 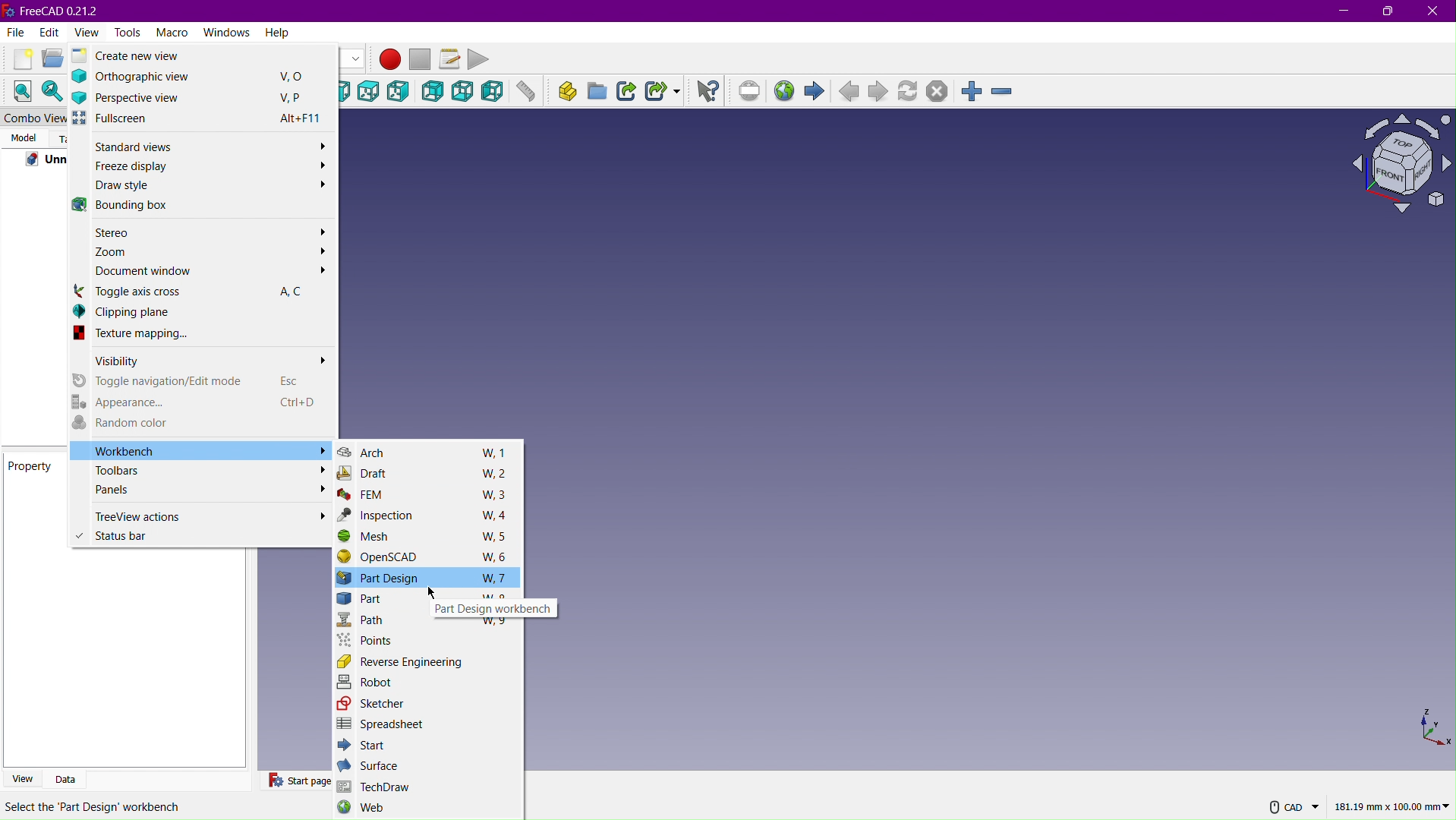 What do you see at coordinates (1386, 14) in the screenshot?
I see `Maximize` at bounding box center [1386, 14].